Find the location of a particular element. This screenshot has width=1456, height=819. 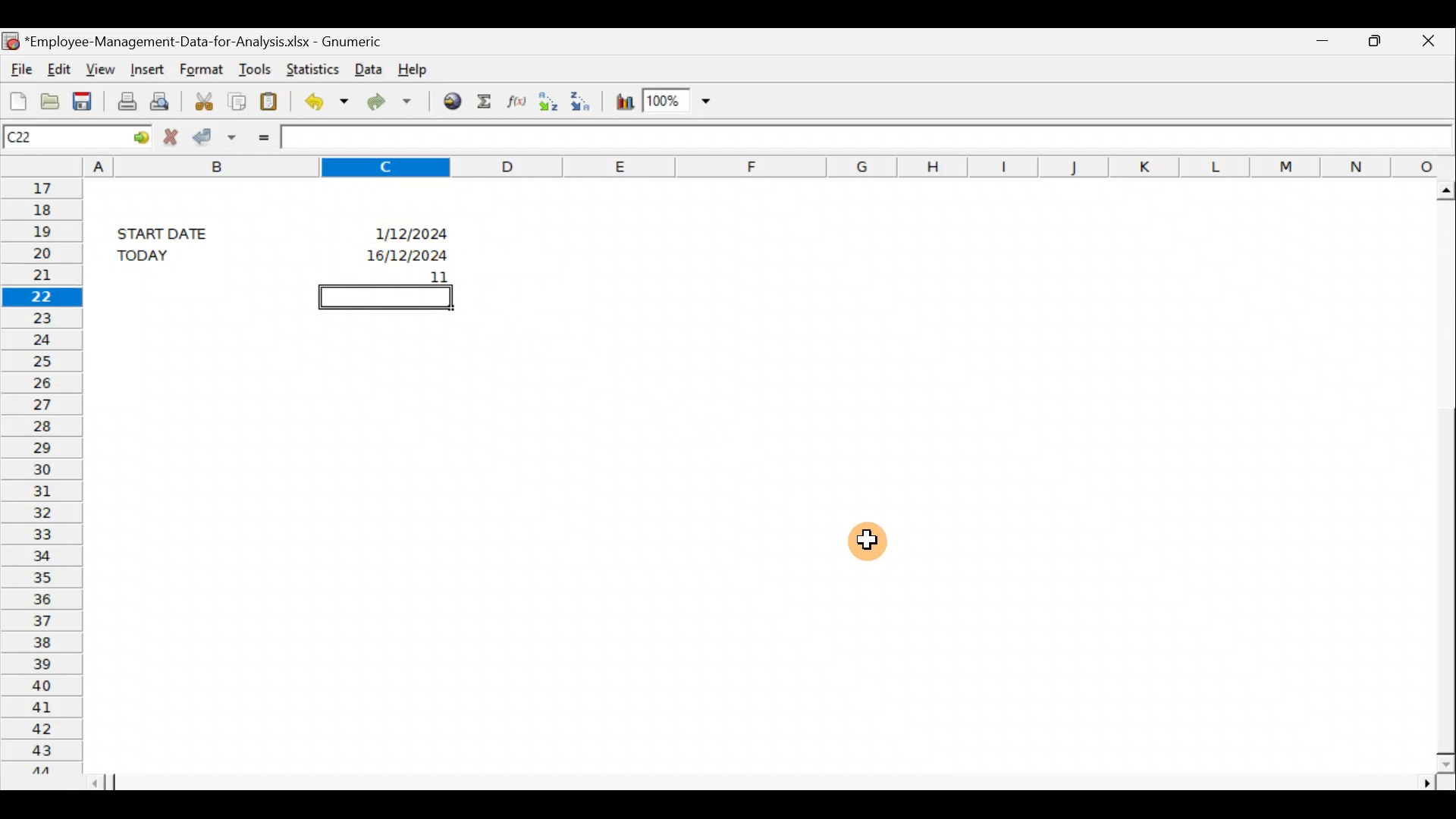

TODAY is located at coordinates (168, 255).